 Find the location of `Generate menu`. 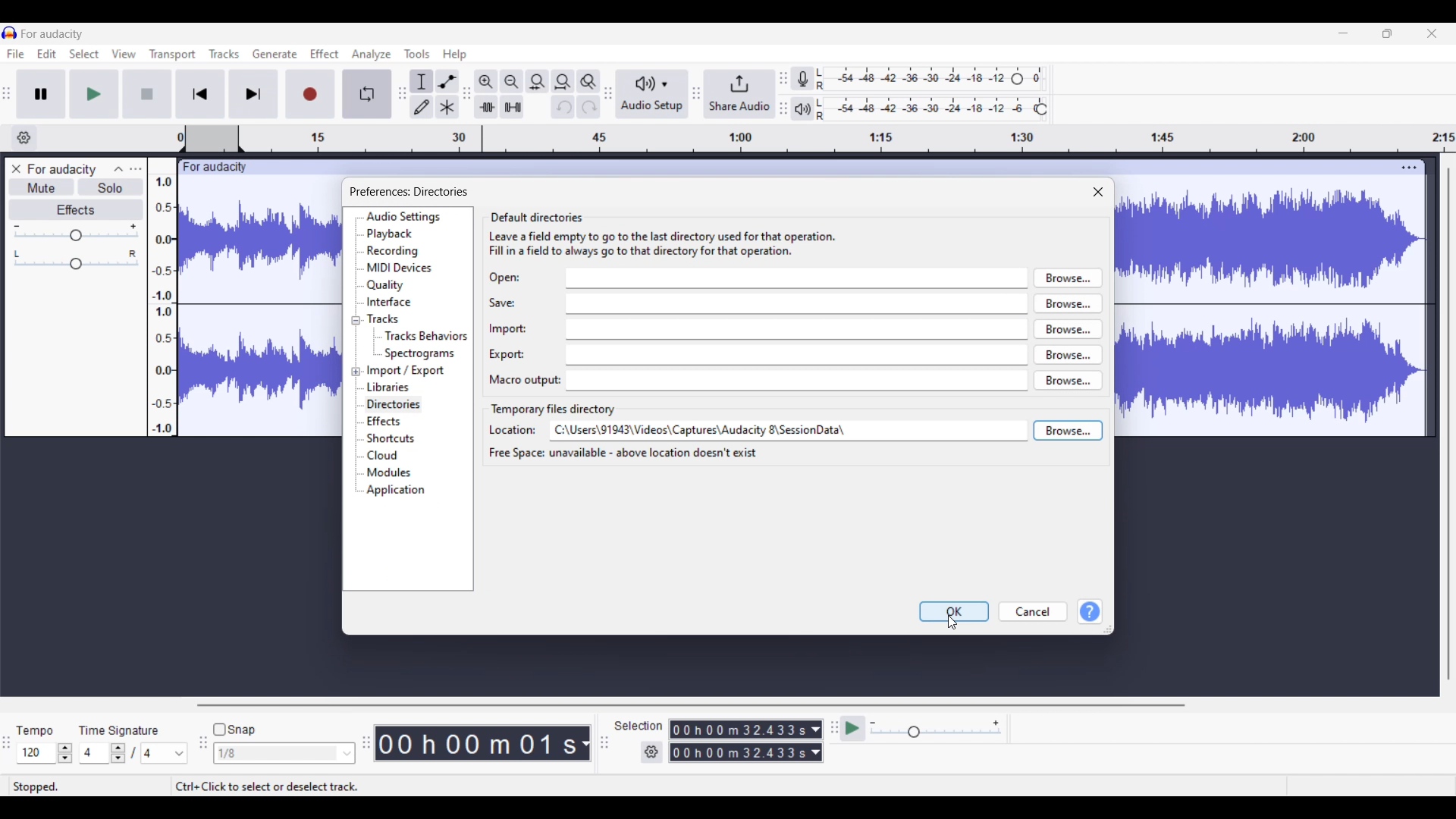

Generate menu is located at coordinates (275, 54).